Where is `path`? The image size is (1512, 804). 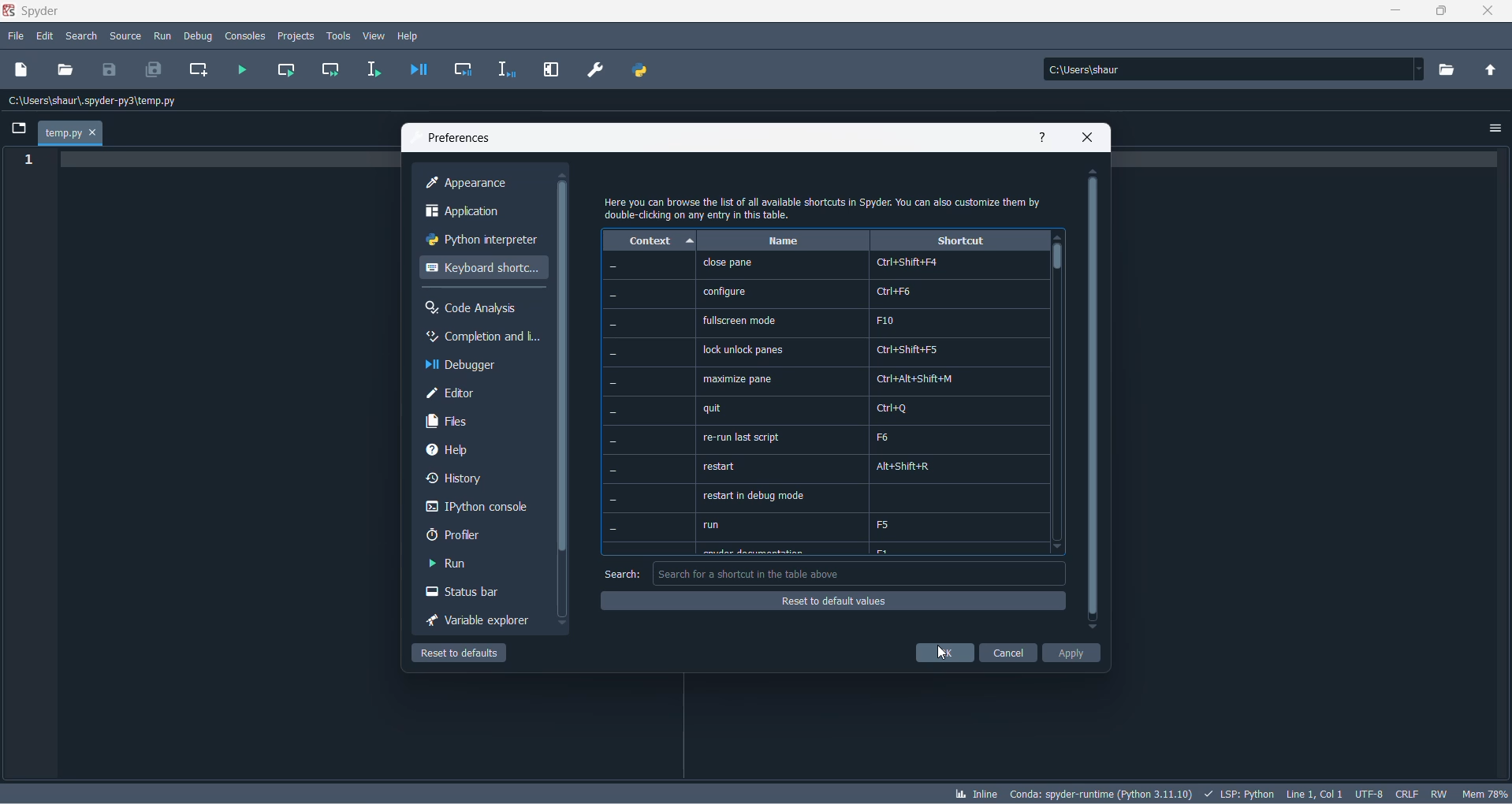
path is located at coordinates (1230, 69).